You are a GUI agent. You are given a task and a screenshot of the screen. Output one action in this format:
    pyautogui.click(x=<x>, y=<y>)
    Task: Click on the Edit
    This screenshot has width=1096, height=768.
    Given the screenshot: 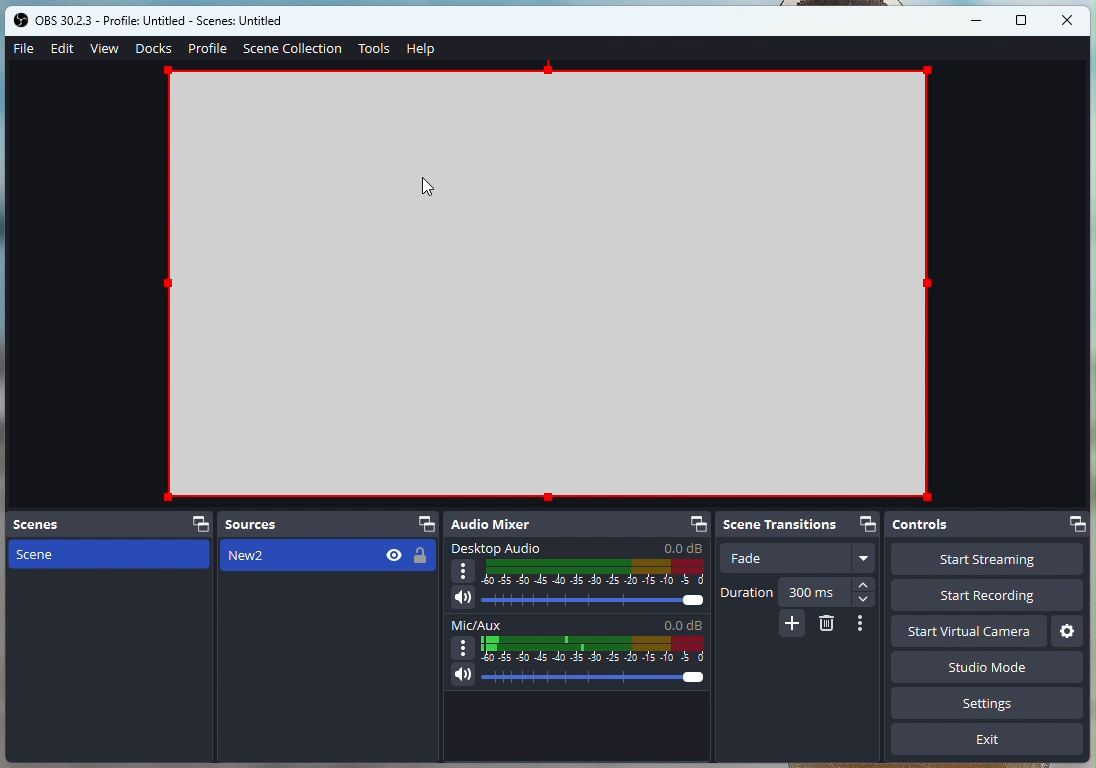 What is the action you would take?
    pyautogui.click(x=65, y=50)
    